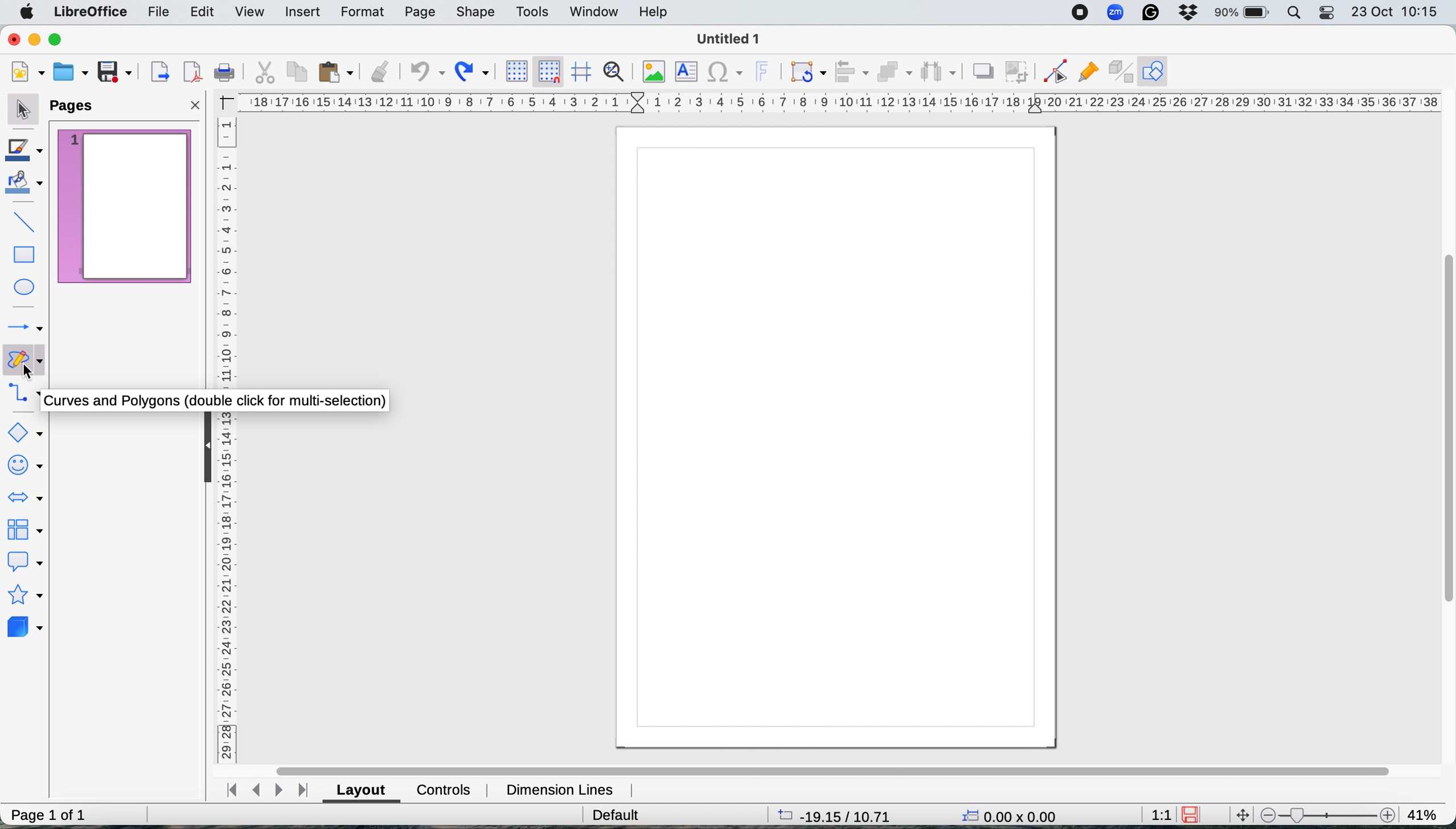 The image size is (1456, 829). Describe the element at coordinates (616, 814) in the screenshot. I see `default` at that location.